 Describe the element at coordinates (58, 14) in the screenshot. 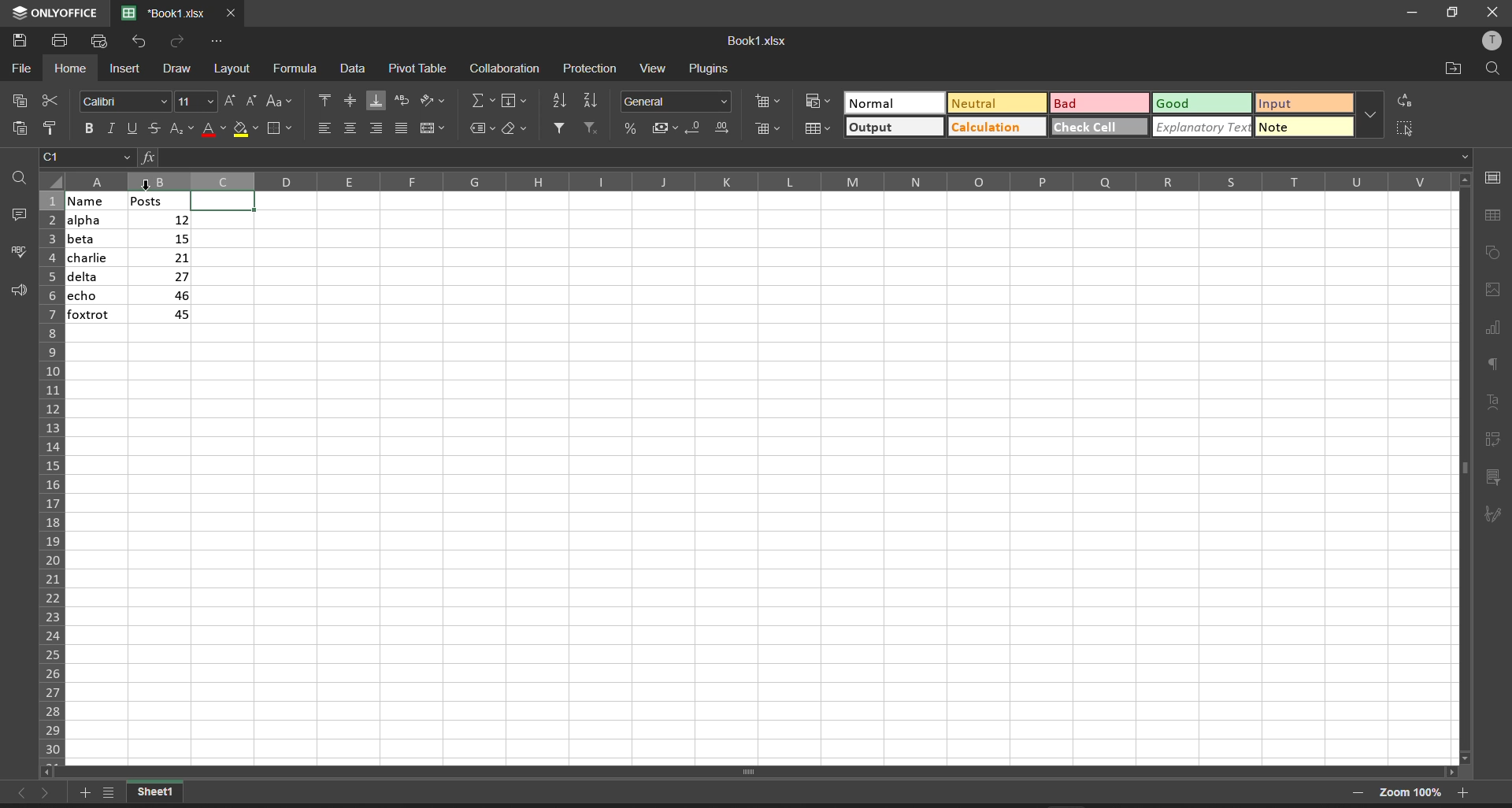

I see `onlyoffice` at that location.